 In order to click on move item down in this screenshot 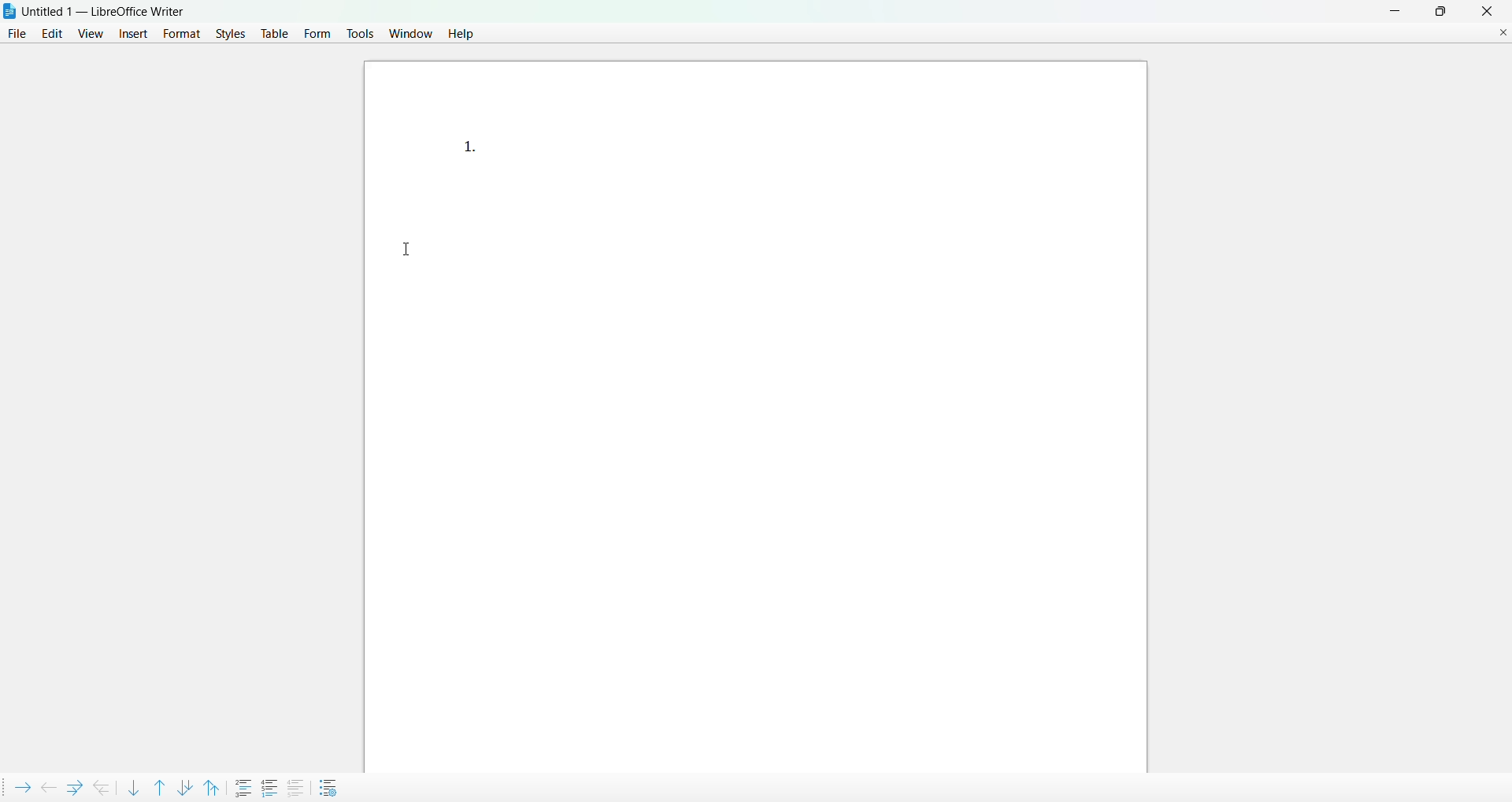, I will do `click(133, 787)`.